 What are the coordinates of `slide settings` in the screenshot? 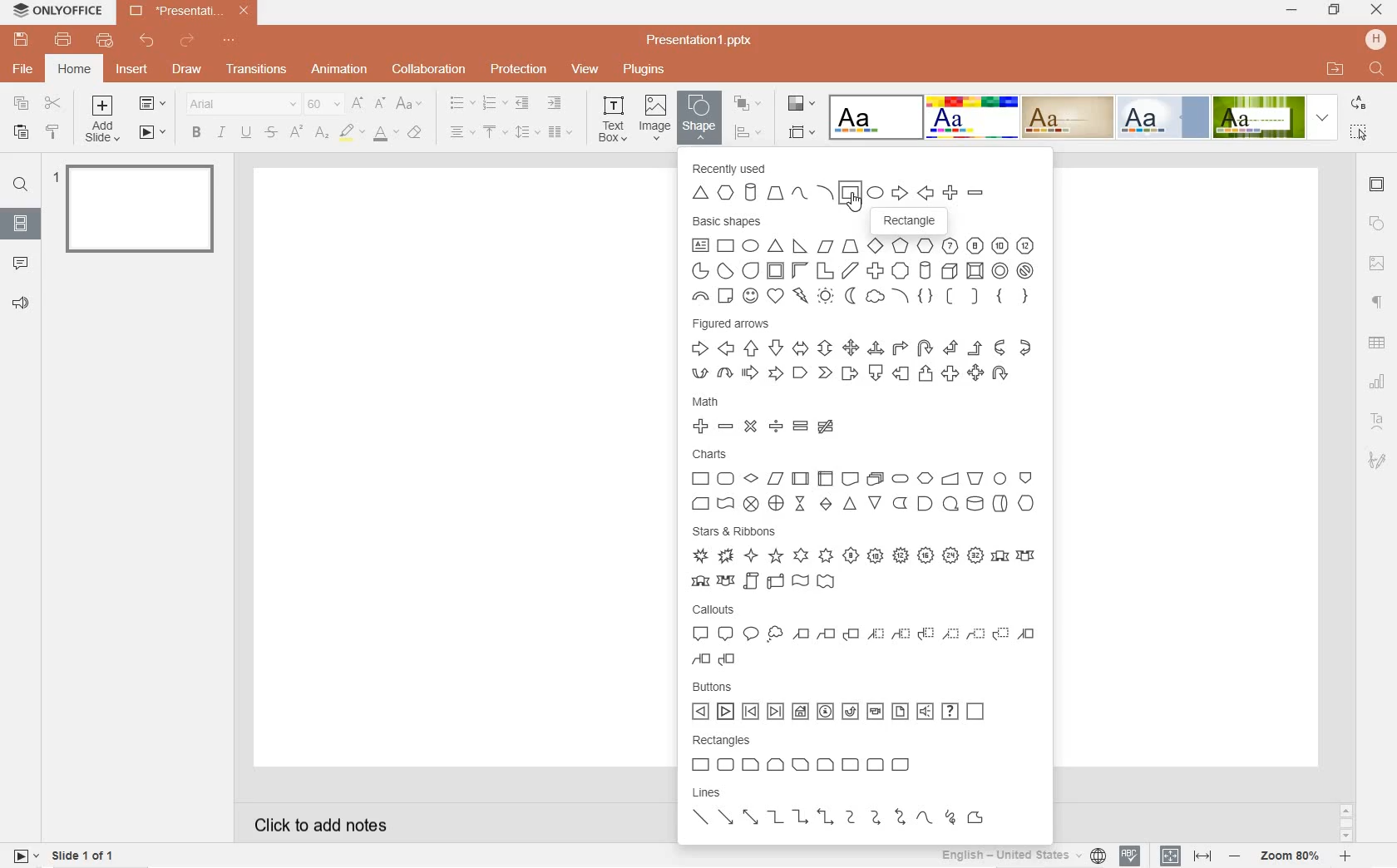 It's located at (1378, 186).